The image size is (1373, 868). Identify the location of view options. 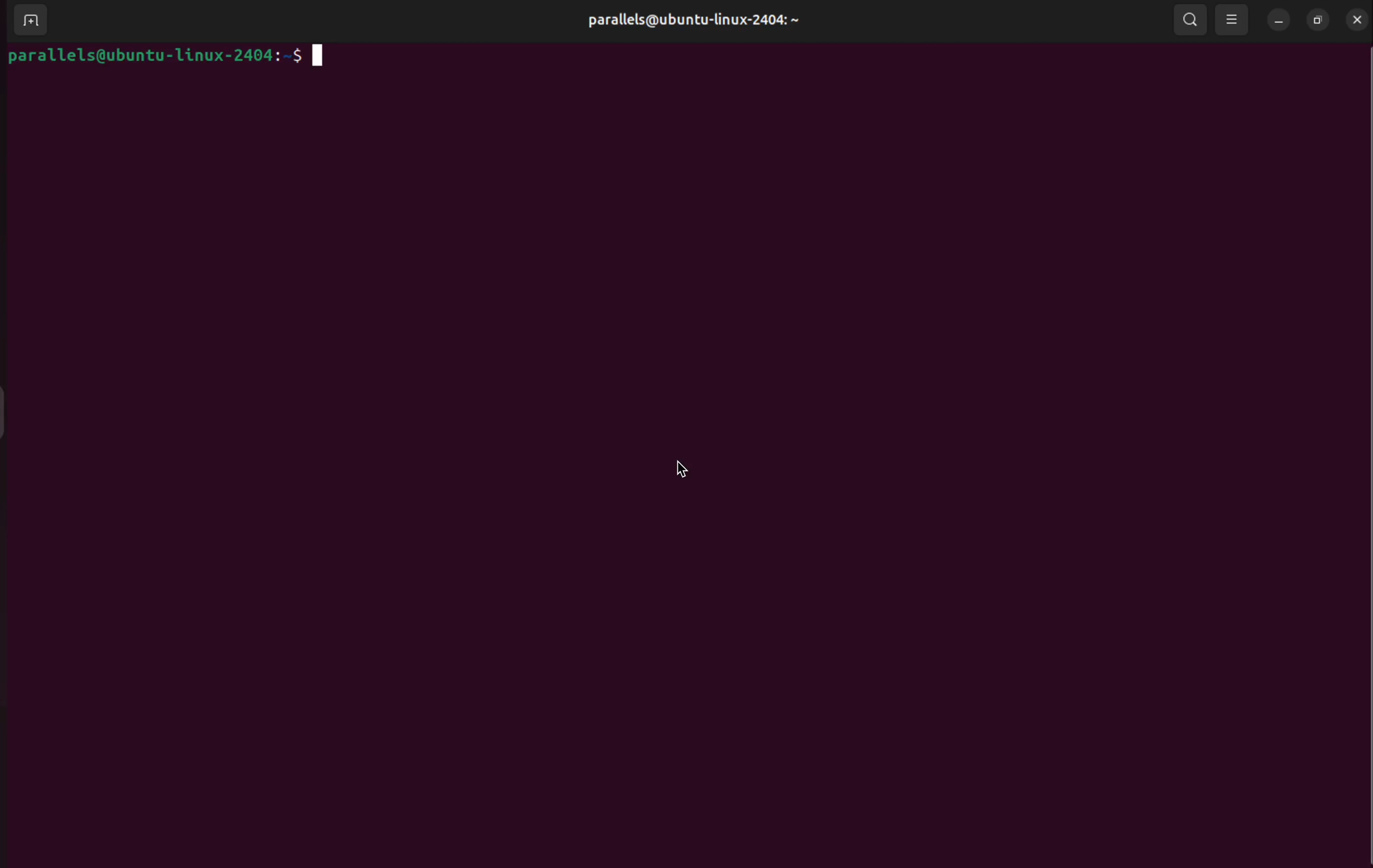
(1233, 19).